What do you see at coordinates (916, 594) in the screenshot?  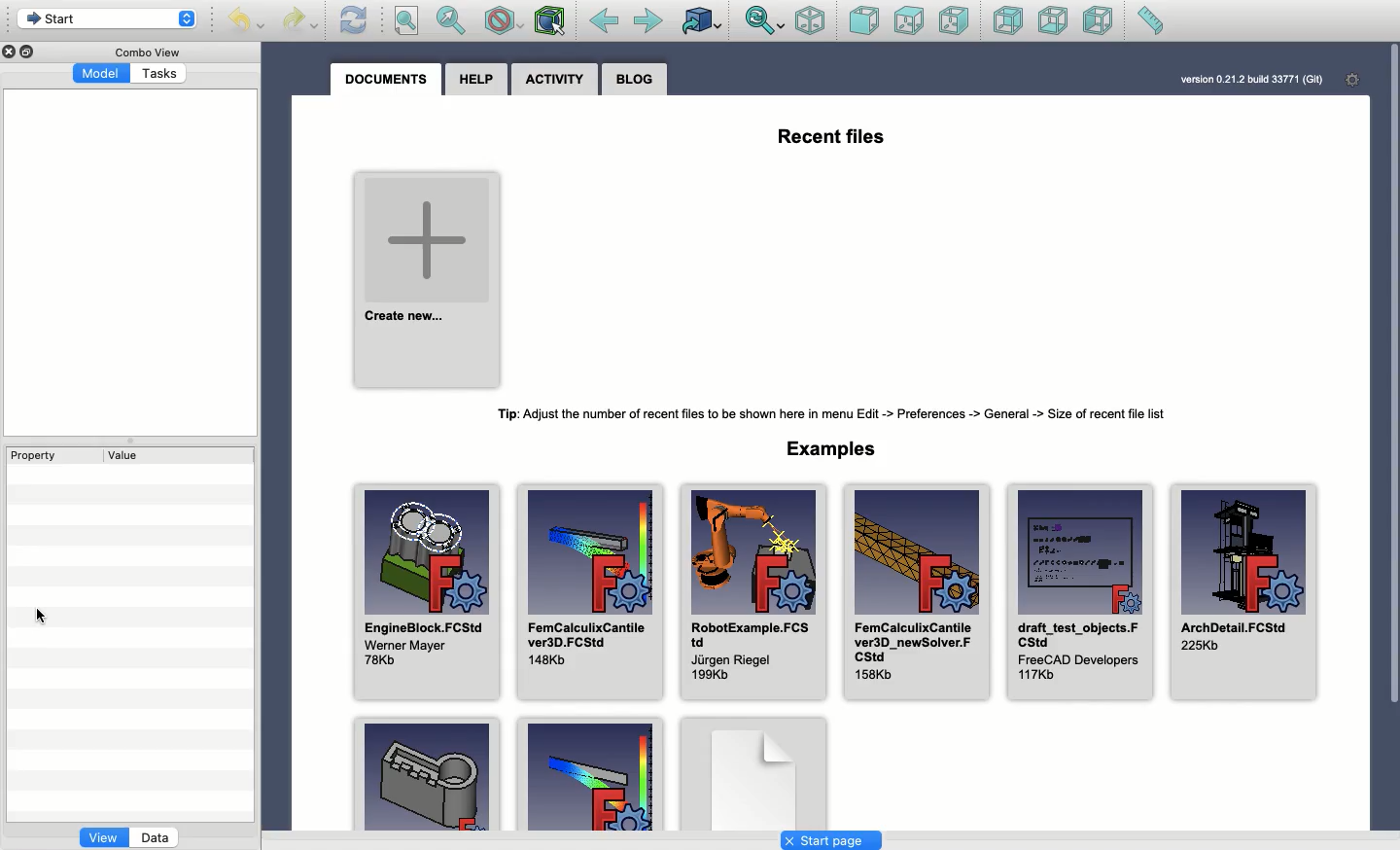 I see `FemCalculixCantile ver3D_newSolver.FCStd 158Kb` at bounding box center [916, 594].